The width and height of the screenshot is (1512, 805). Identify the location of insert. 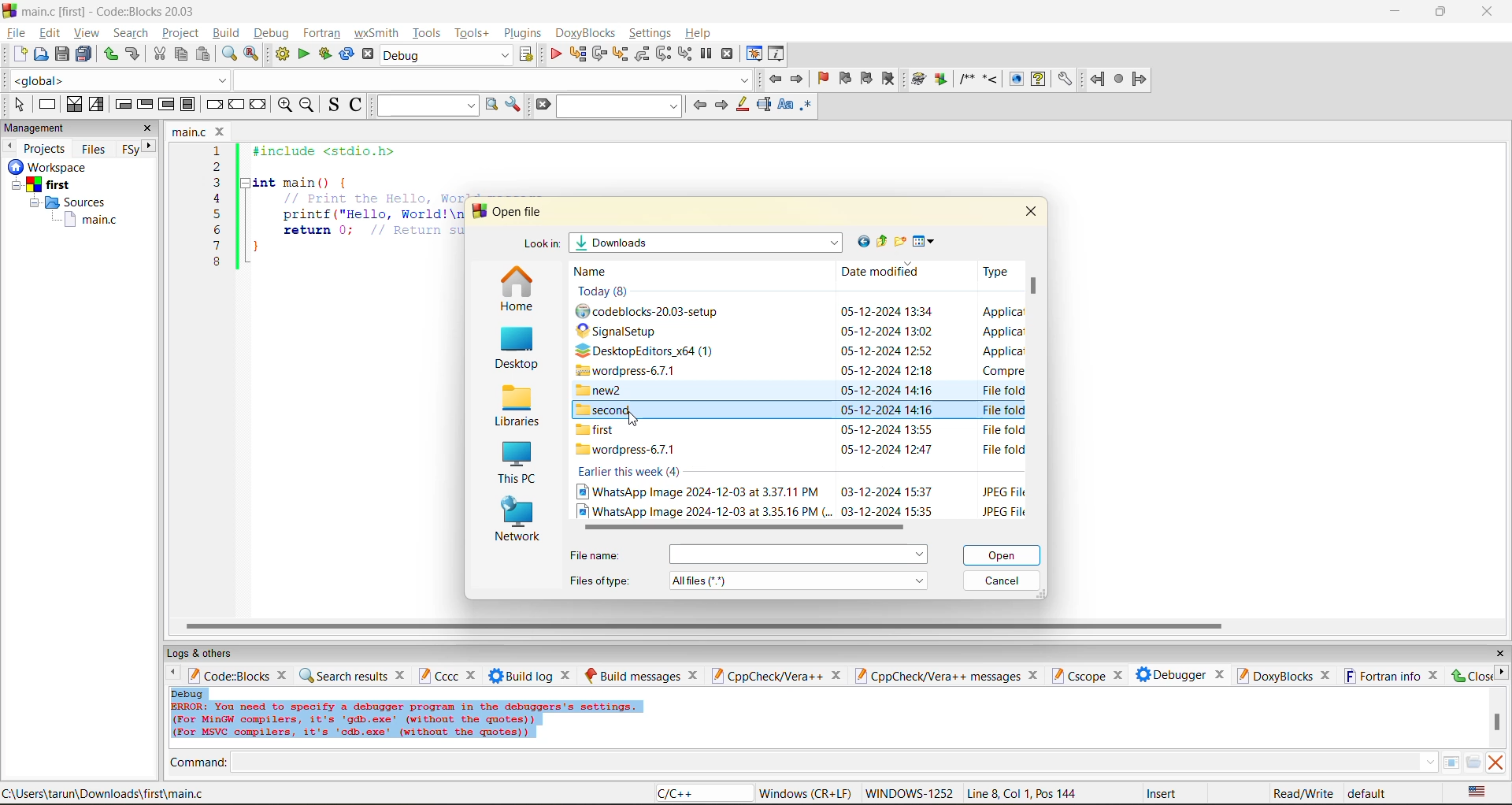
(1165, 793).